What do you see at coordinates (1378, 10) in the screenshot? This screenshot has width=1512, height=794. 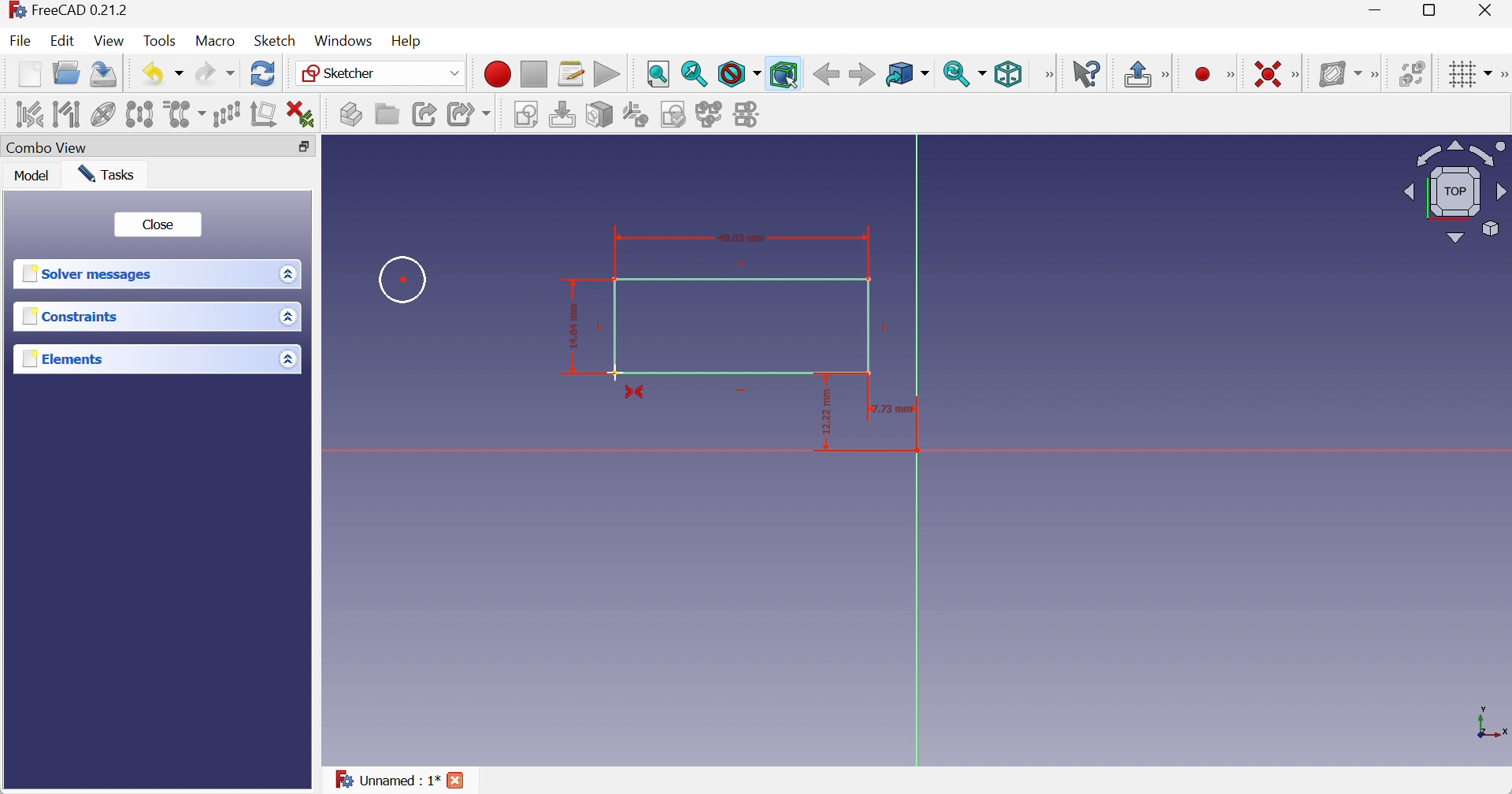 I see `Minimize` at bounding box center [1378, 10].